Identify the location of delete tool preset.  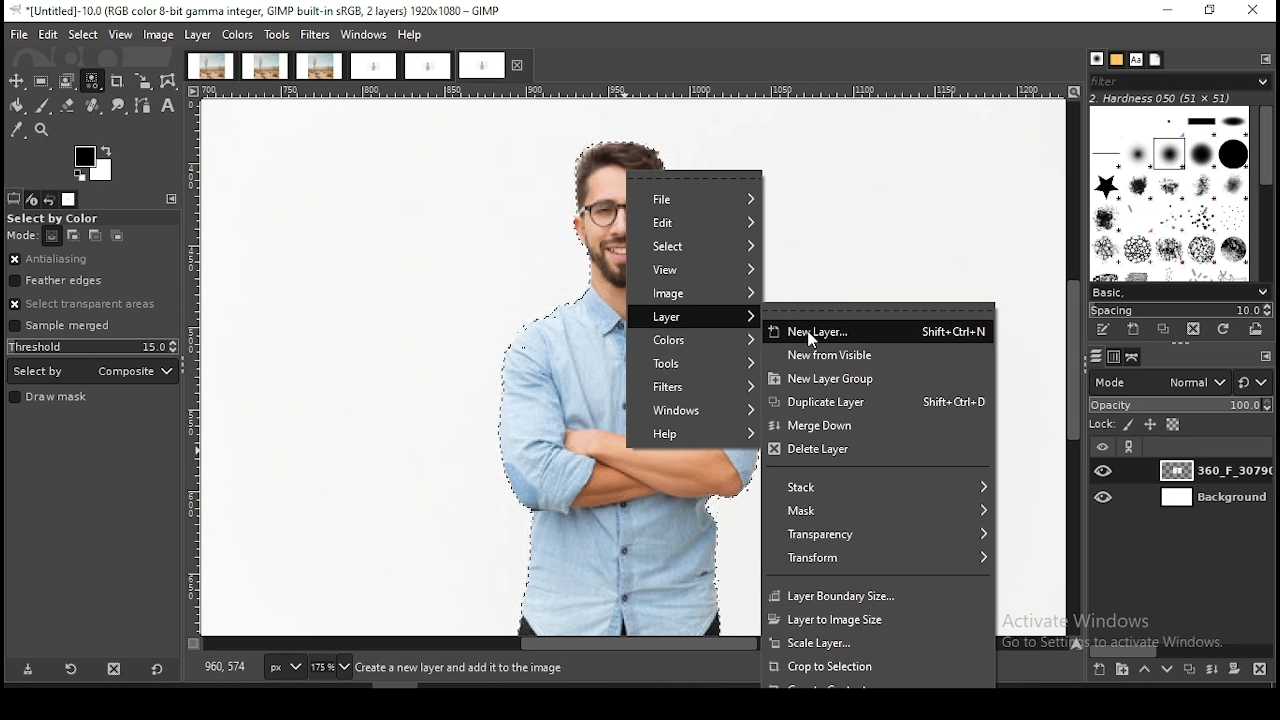
(116, 667).